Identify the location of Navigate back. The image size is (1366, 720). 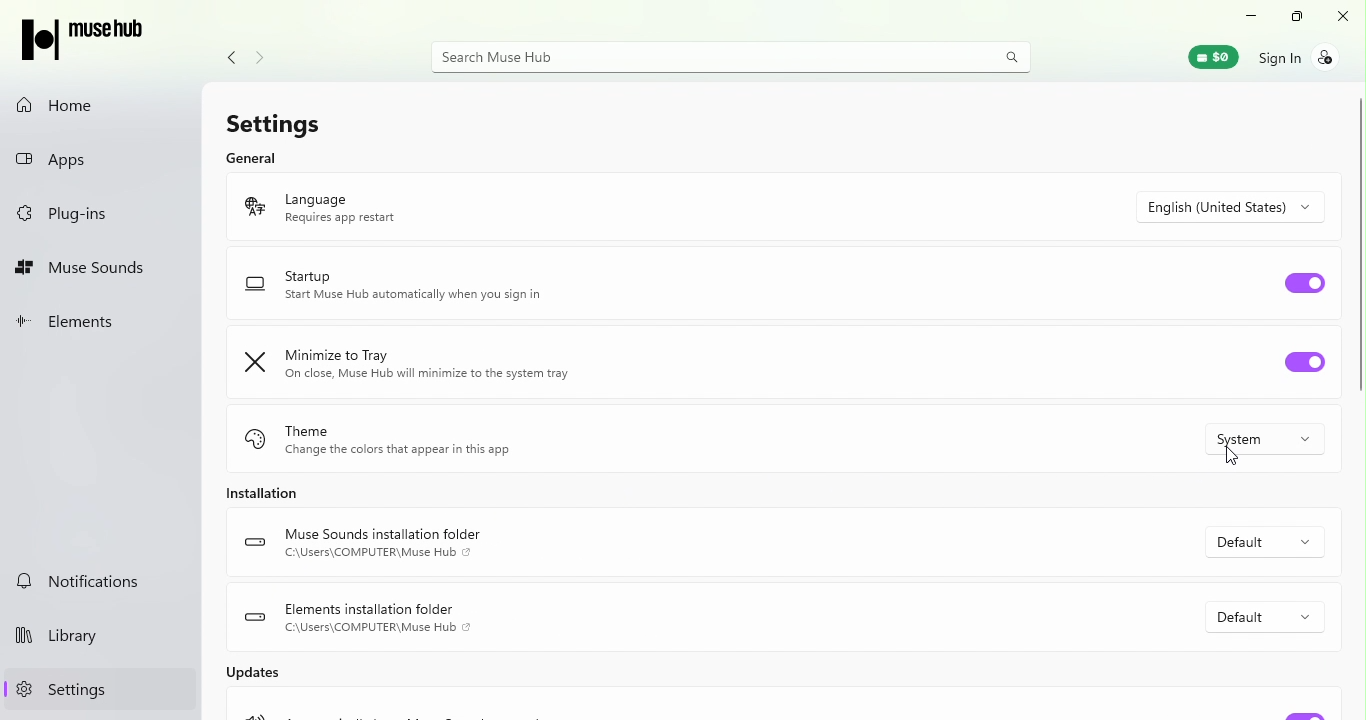
(226, 57).